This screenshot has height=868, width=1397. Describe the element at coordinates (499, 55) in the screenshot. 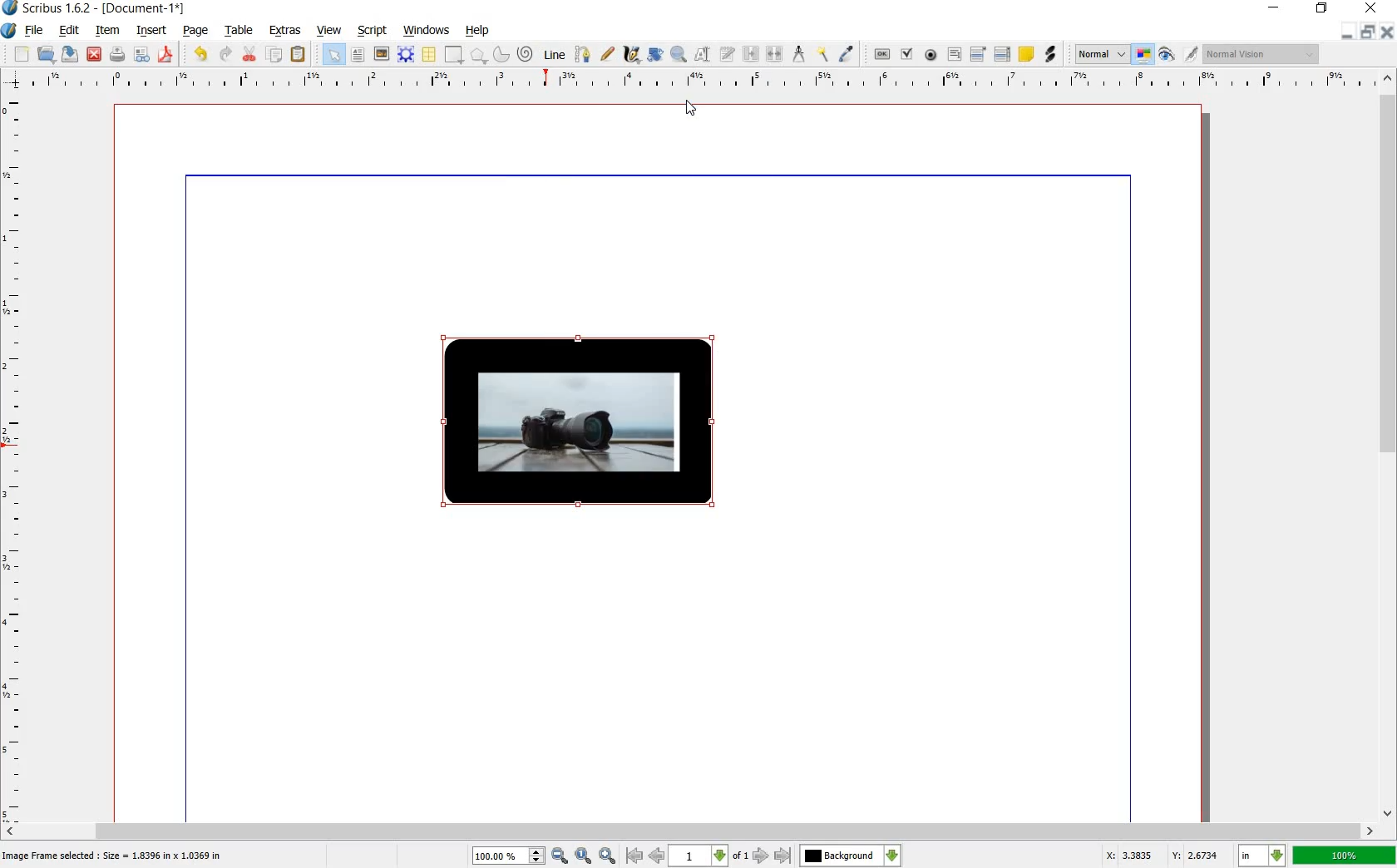

I see `arc` at that location.